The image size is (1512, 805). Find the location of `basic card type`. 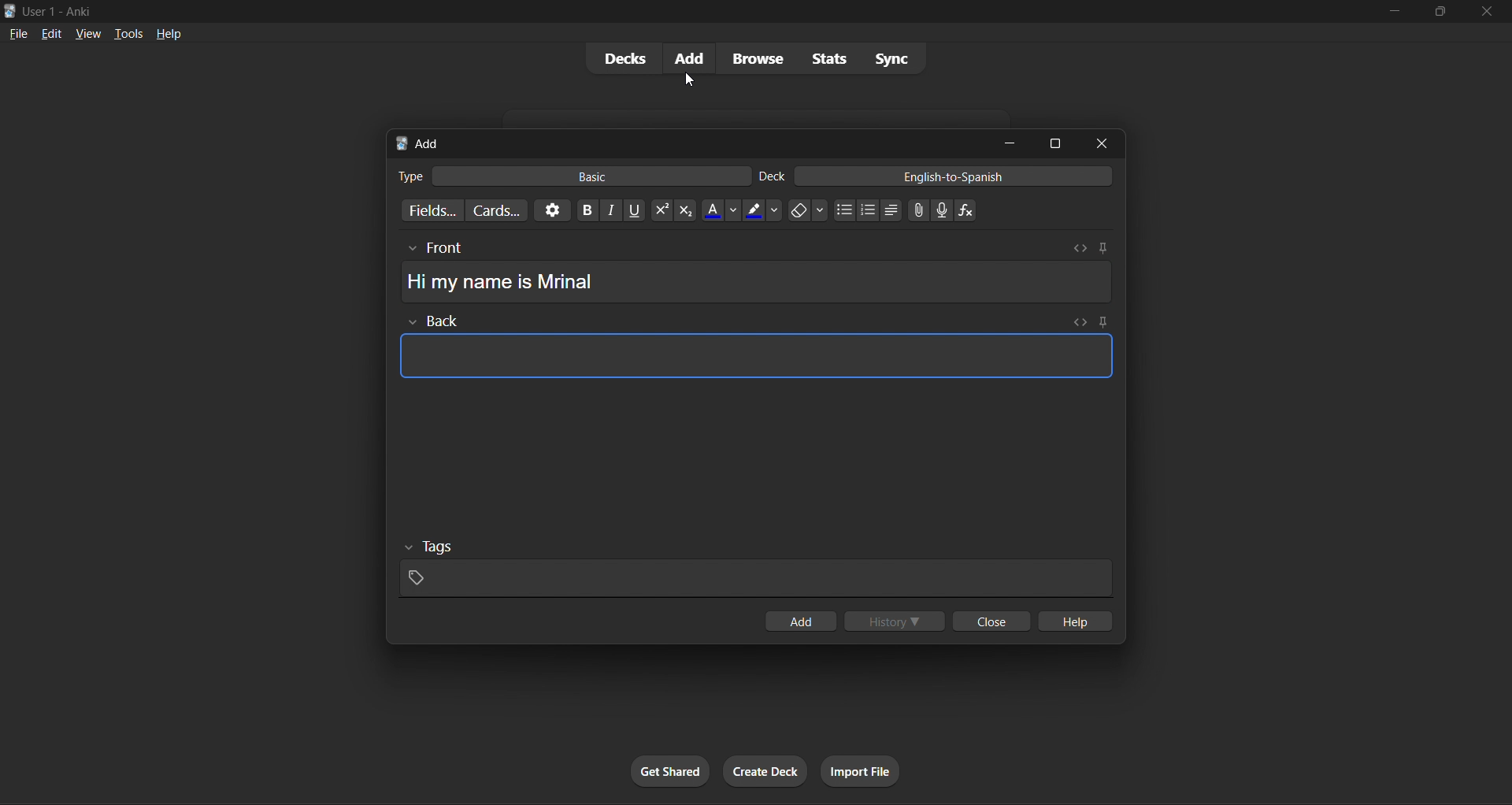

basic card type is located at coordinates (572, 173).